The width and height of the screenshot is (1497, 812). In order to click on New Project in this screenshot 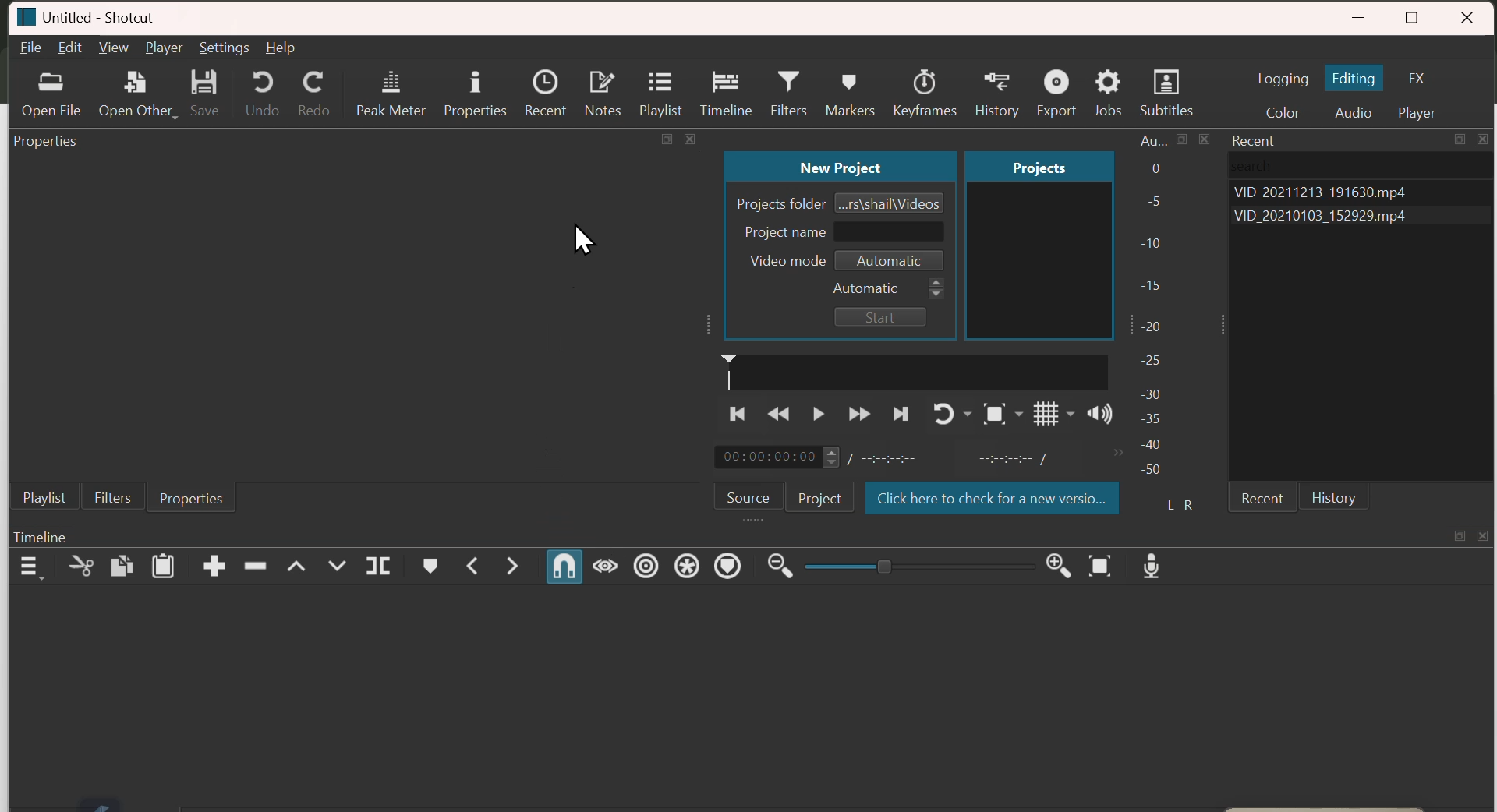, I will do `click(839, 166)`.